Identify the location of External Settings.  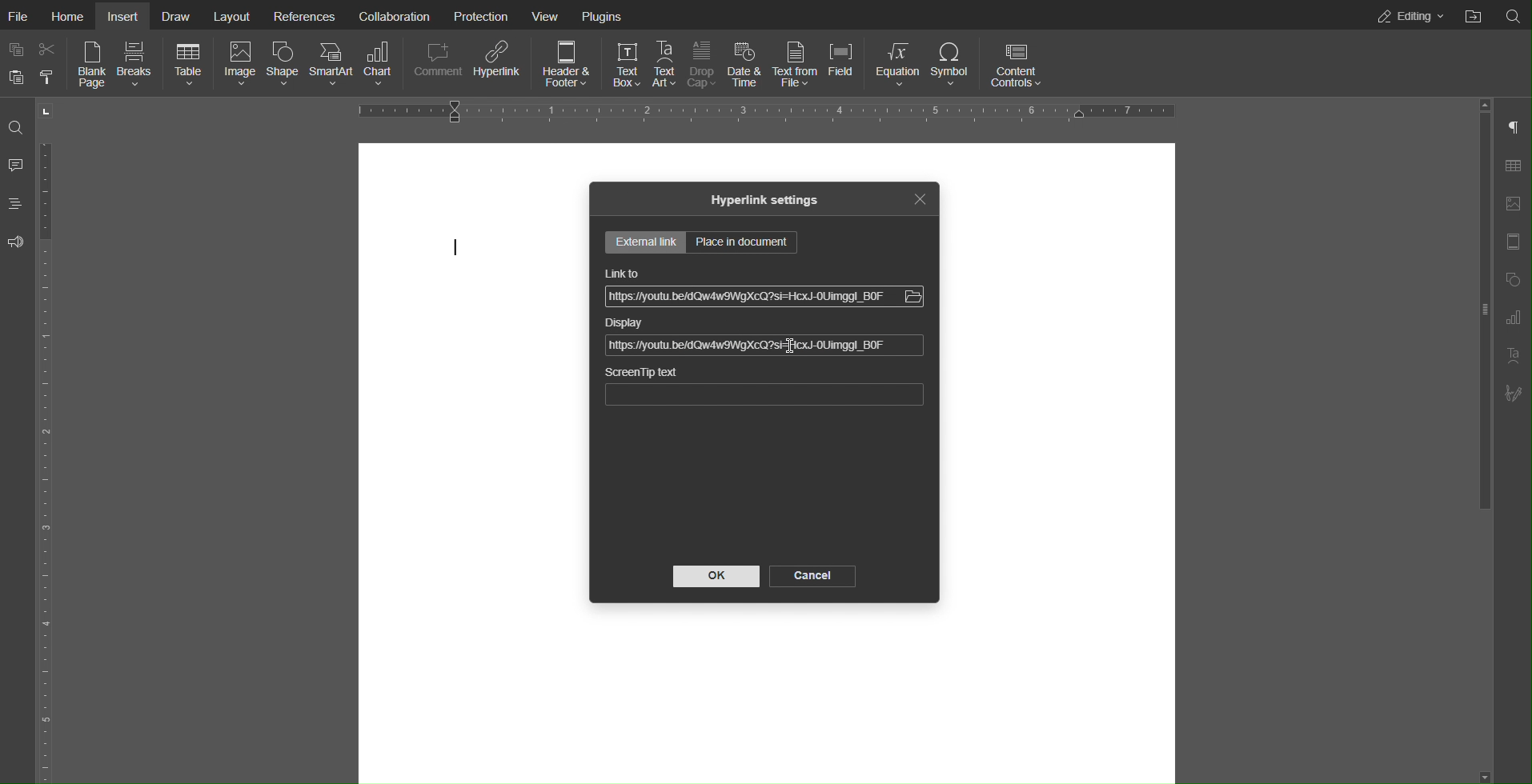
(647, 242).